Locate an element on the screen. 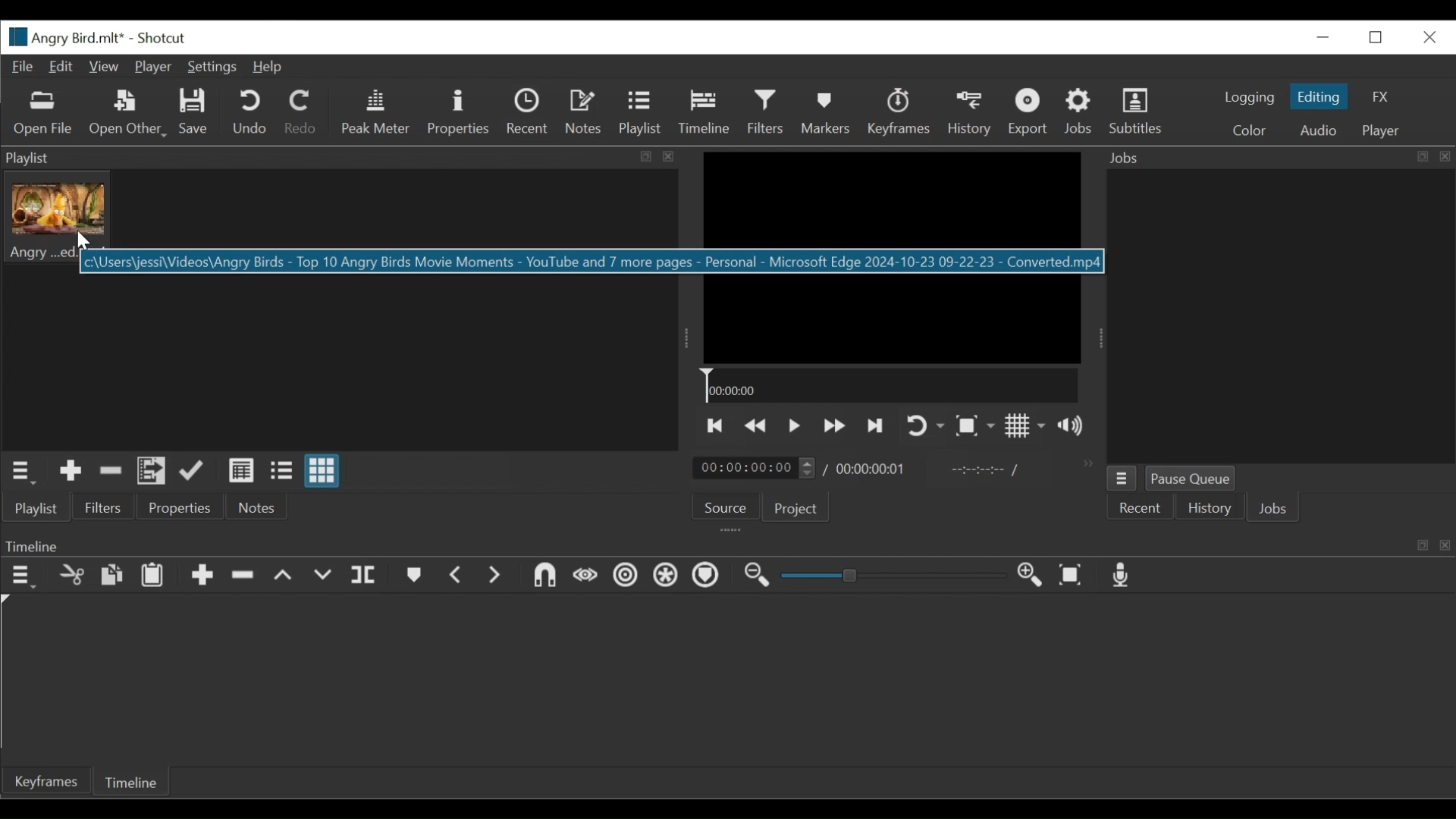 The image size is (1456, 819). Recent is located at coordinates (527, 111).